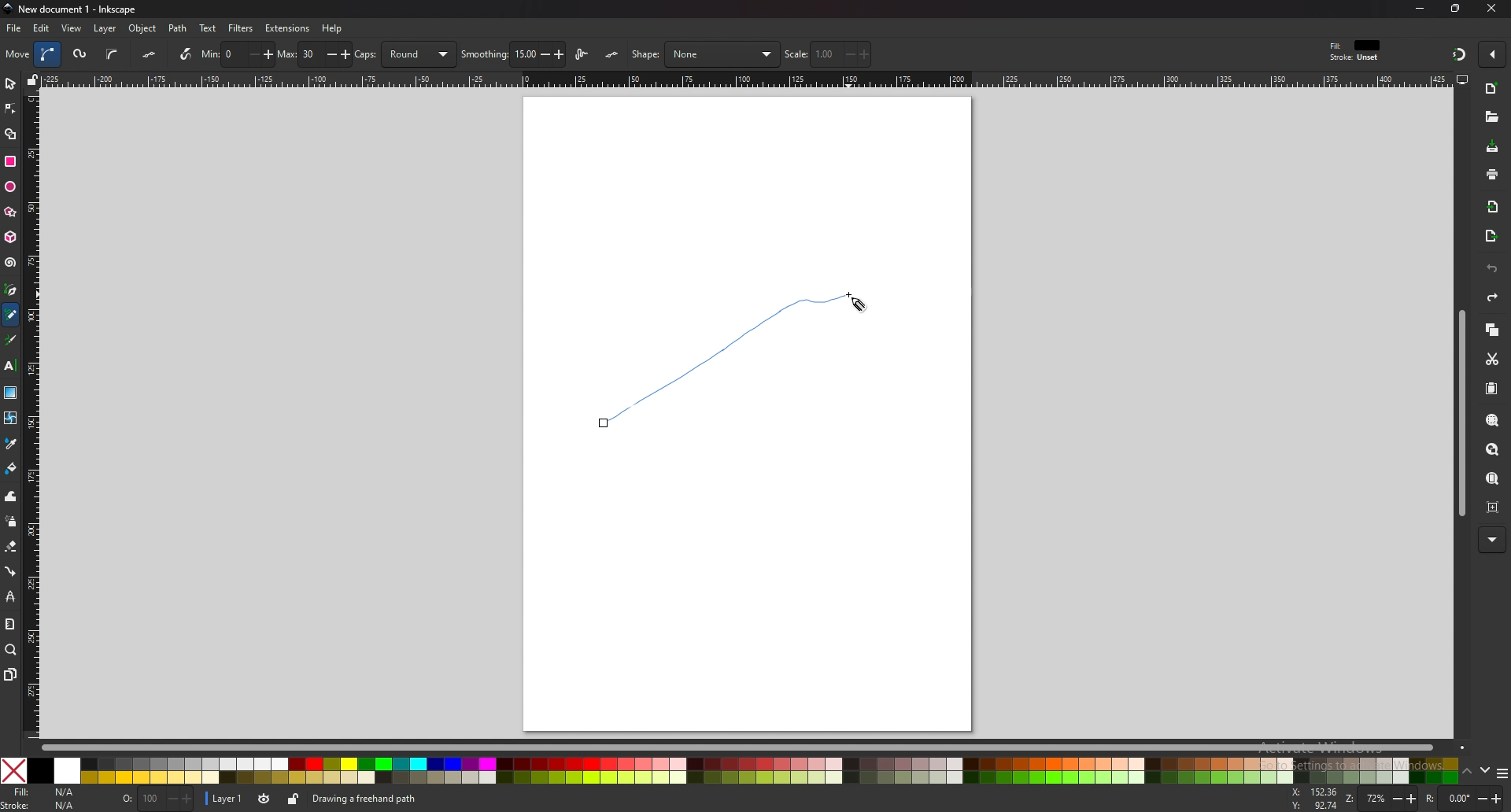  Describe the element at coordinates (584, 53) in the screenshot. I see `lpe based interactive simplify` at that location.